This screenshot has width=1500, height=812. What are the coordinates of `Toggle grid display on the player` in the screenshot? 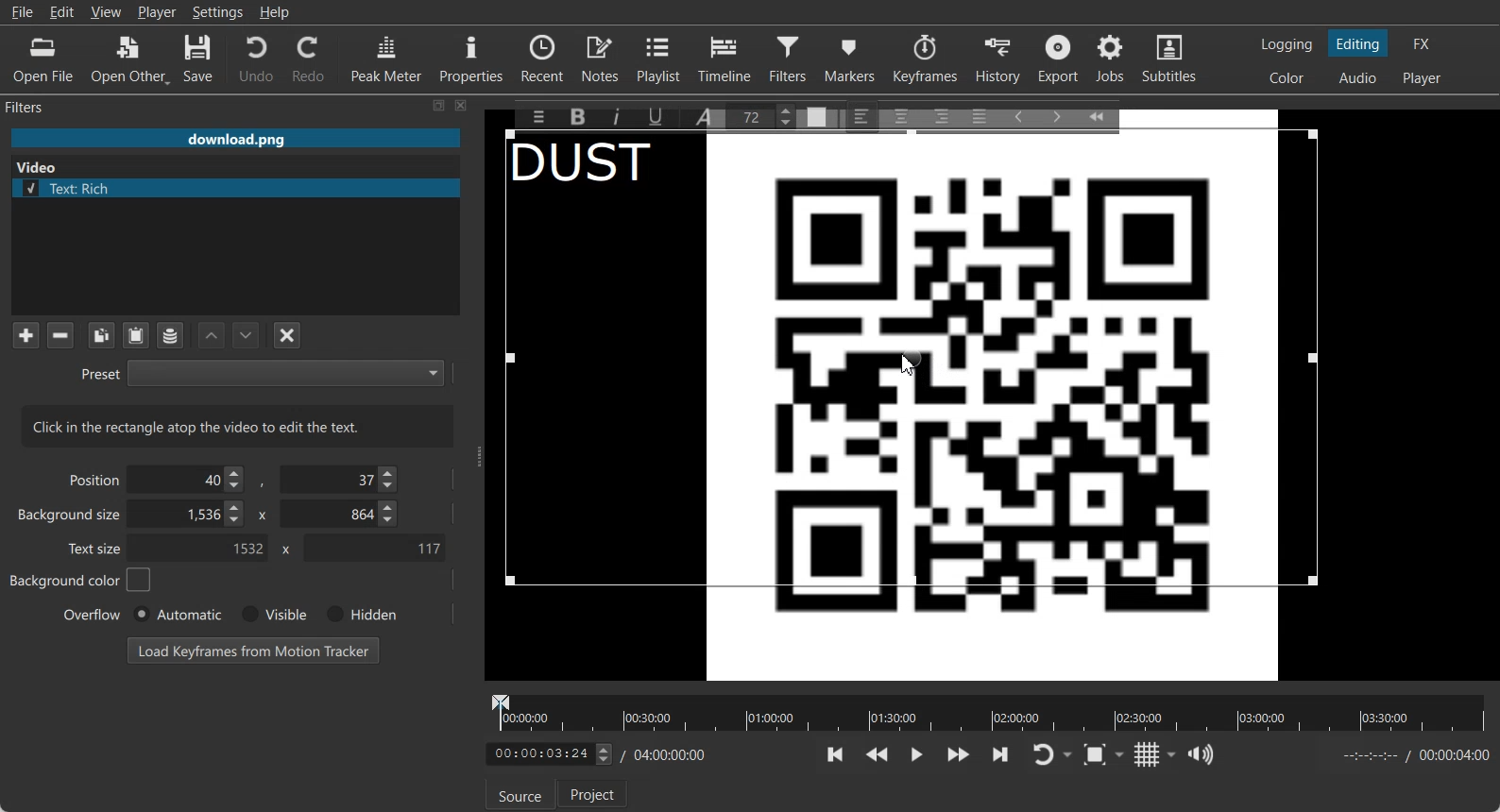 It's located at (1148, 754).